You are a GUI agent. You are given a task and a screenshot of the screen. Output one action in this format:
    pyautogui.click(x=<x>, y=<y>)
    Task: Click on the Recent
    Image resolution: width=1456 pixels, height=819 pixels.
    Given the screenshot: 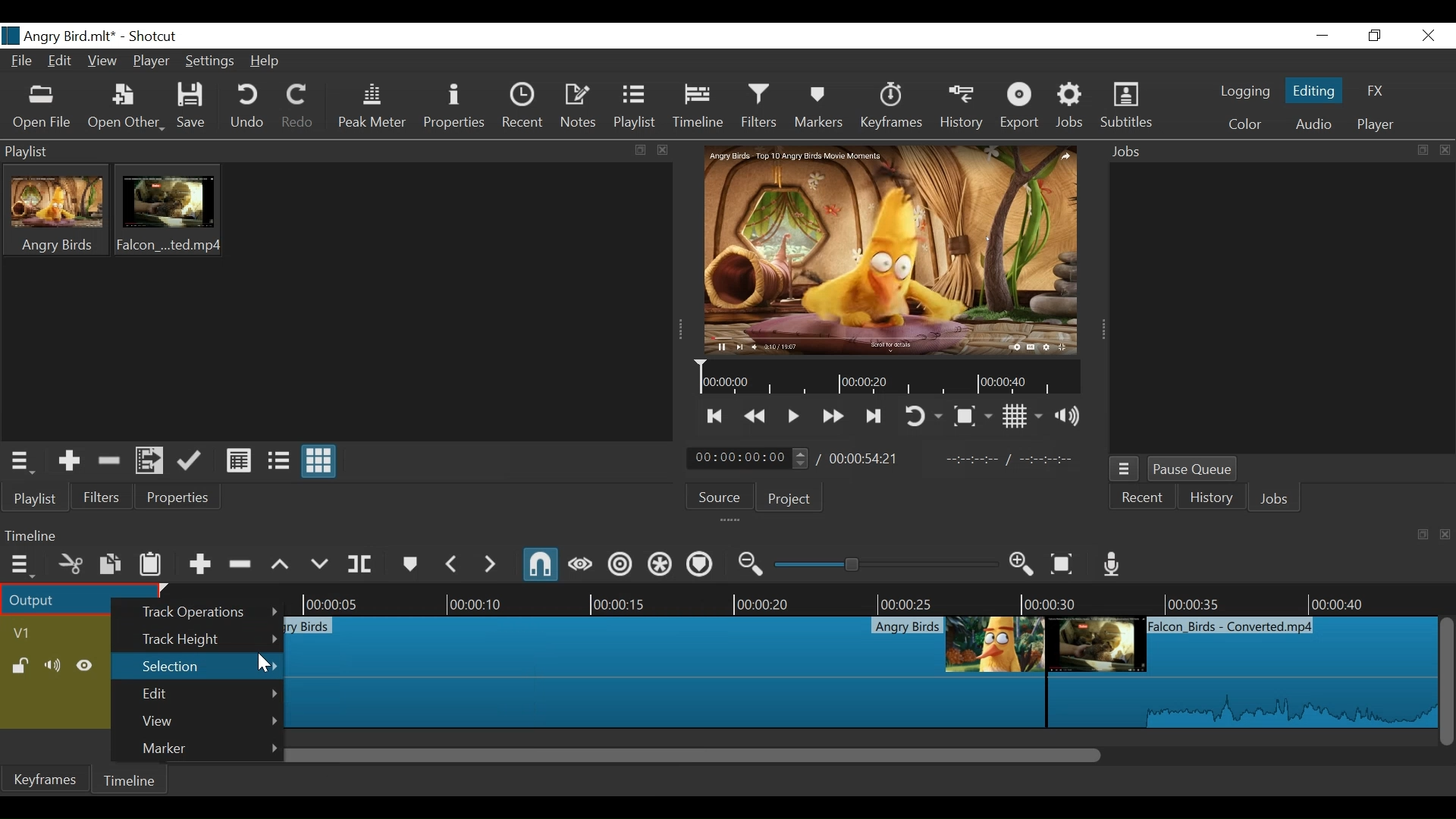 What is the action you would take?
    pyautogui.click(x=524, y=106)
    